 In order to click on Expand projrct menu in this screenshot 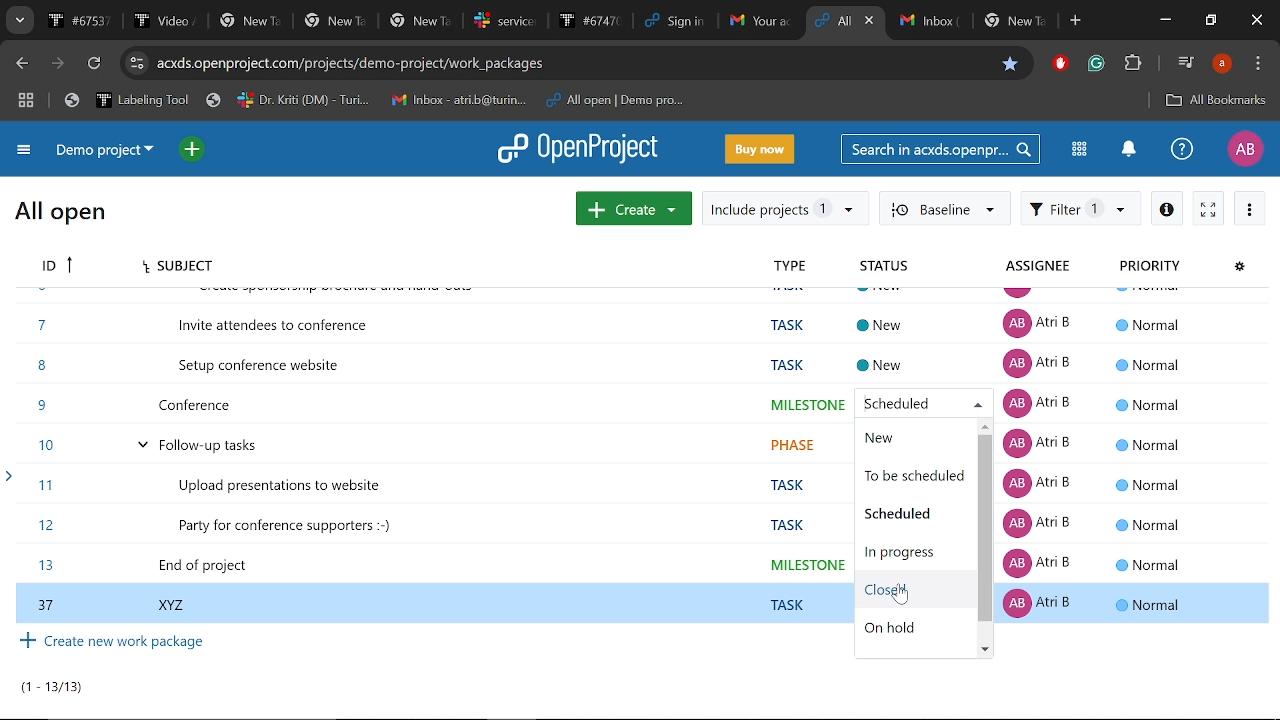, I will do `click(25, 151)`.